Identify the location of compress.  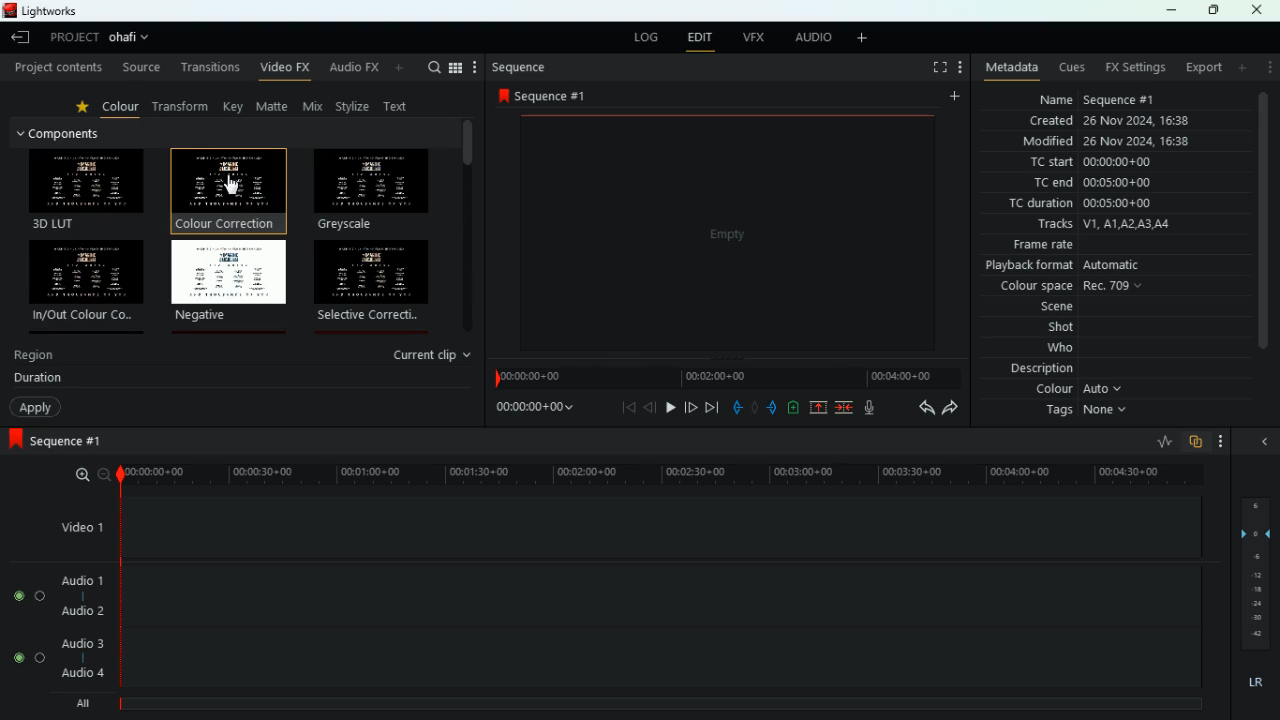
(846, 409).